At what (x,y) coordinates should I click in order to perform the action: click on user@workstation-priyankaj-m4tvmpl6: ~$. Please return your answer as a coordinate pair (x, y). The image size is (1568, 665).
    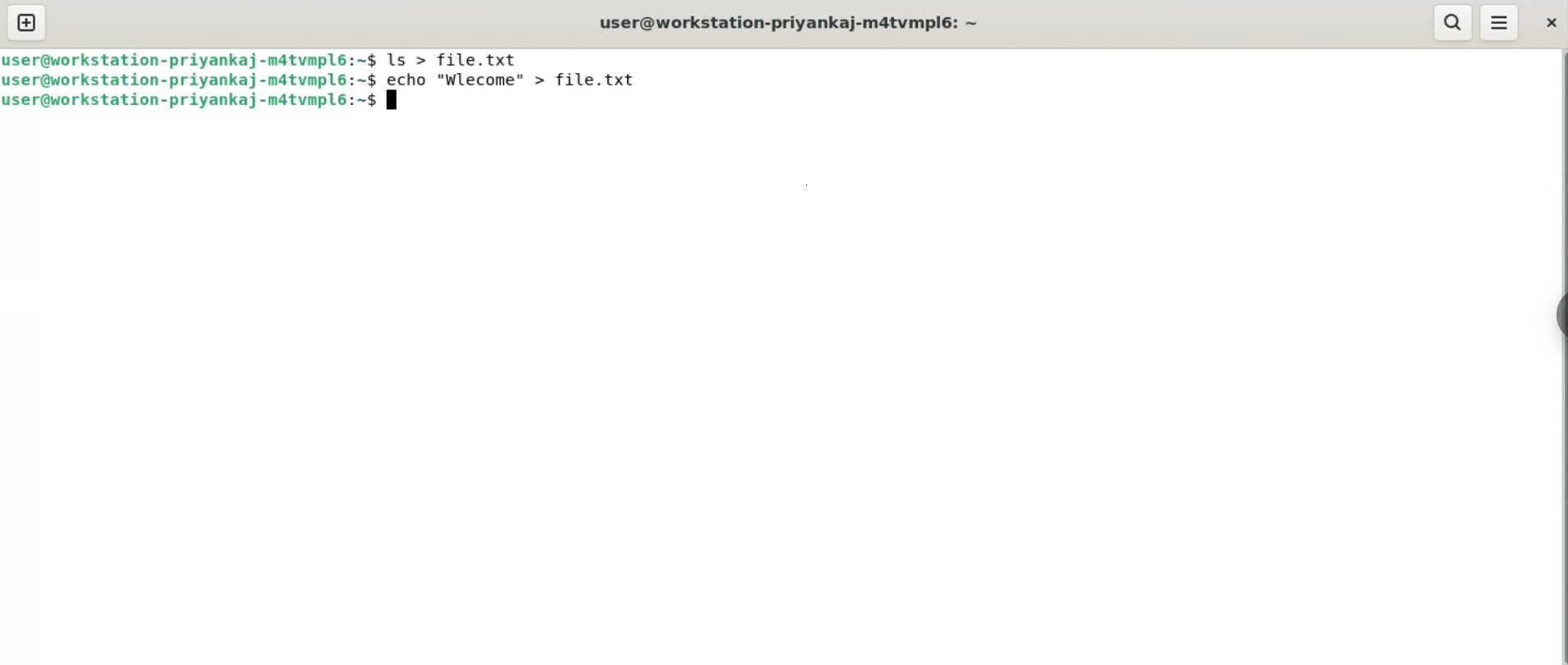
    Looking at the image, I should click on (190, 104).